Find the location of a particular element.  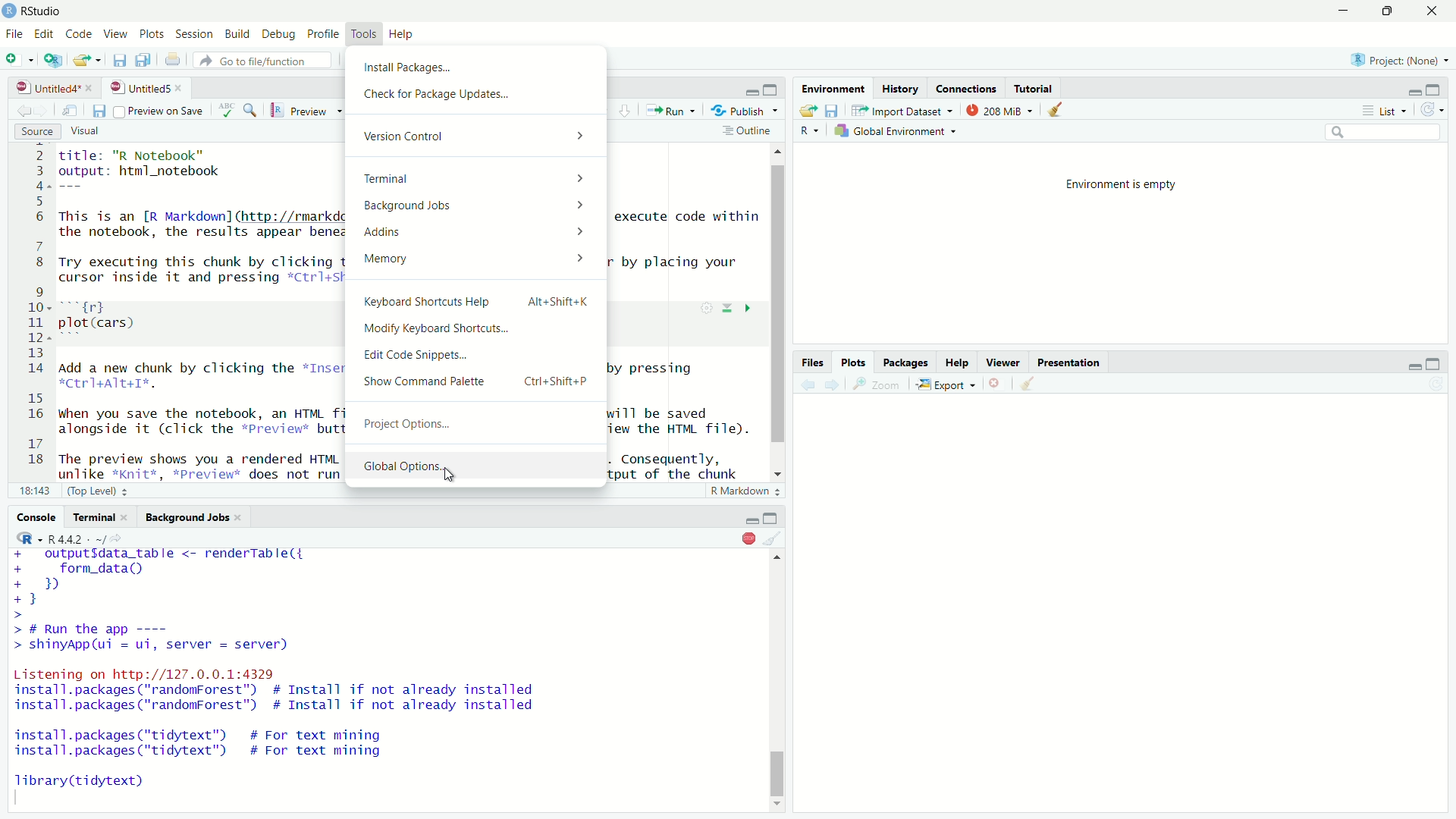

2 3 4 5 6 7 8 9 10 11 12 13 14 15 16 17 18 is located at coordinates (32, 311).